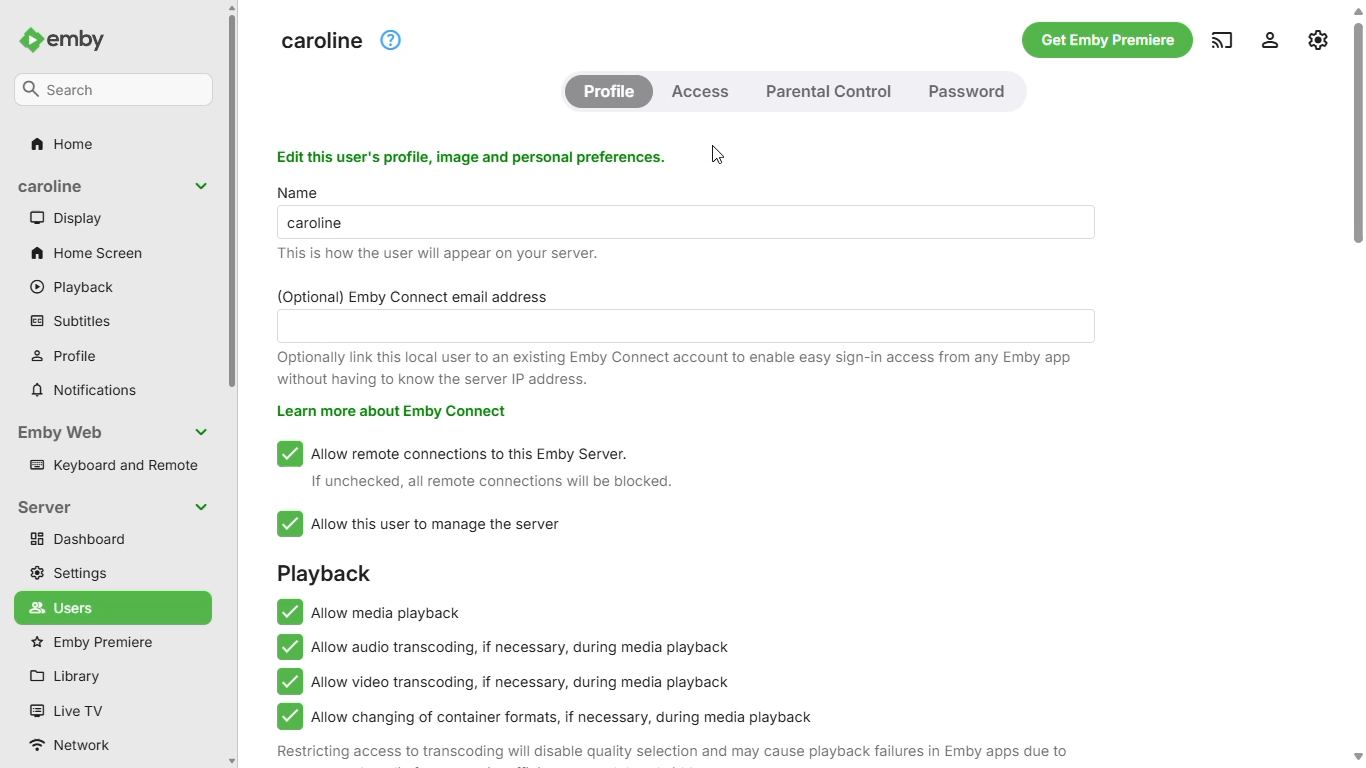 This screenshot has height=768, width=1366. What do you see at coordinates (117, 433) in the screenshot?
I see `emby web` at bounding box center [117, 433].